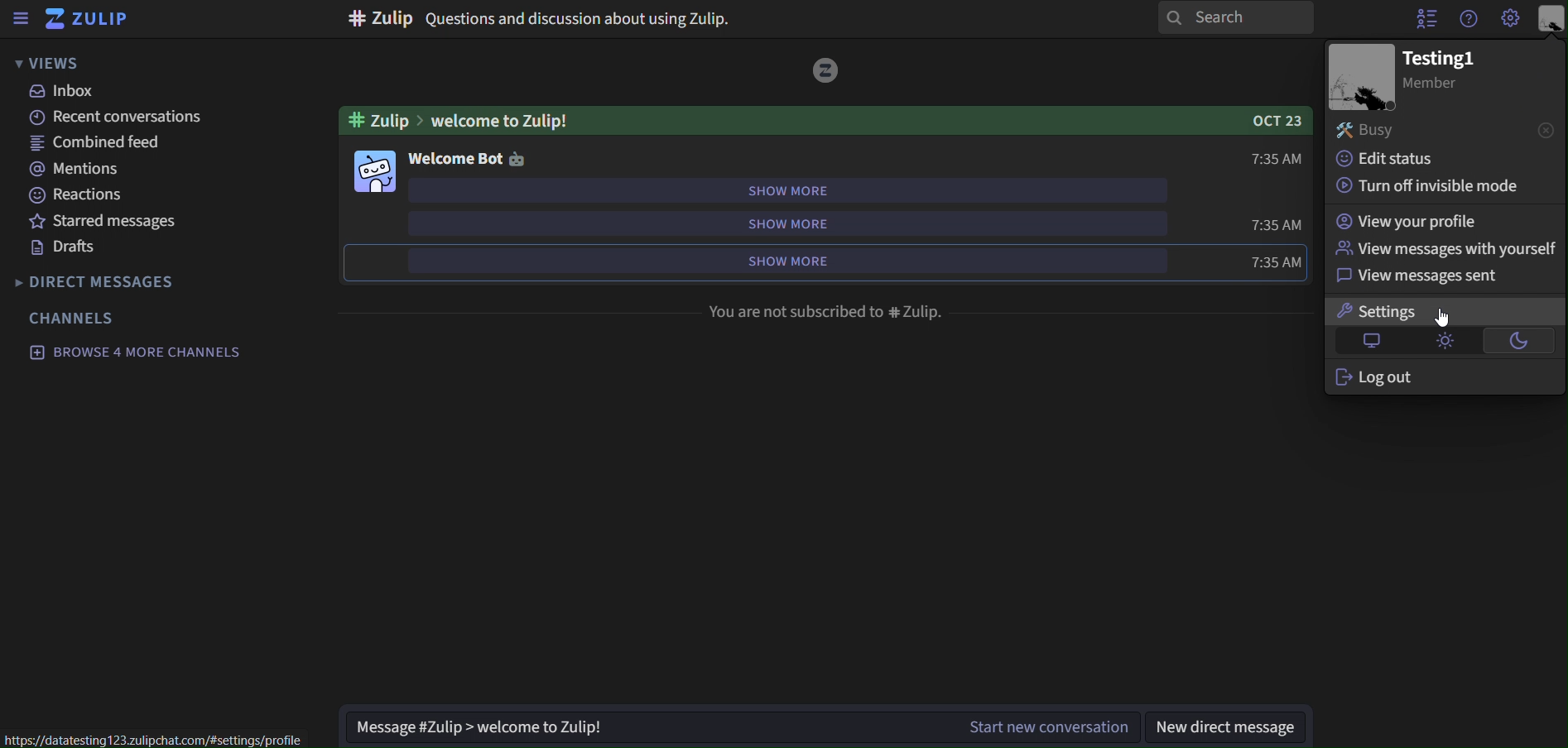 The image size is (1568, 748). I want to click on show more, so click(794, 189).